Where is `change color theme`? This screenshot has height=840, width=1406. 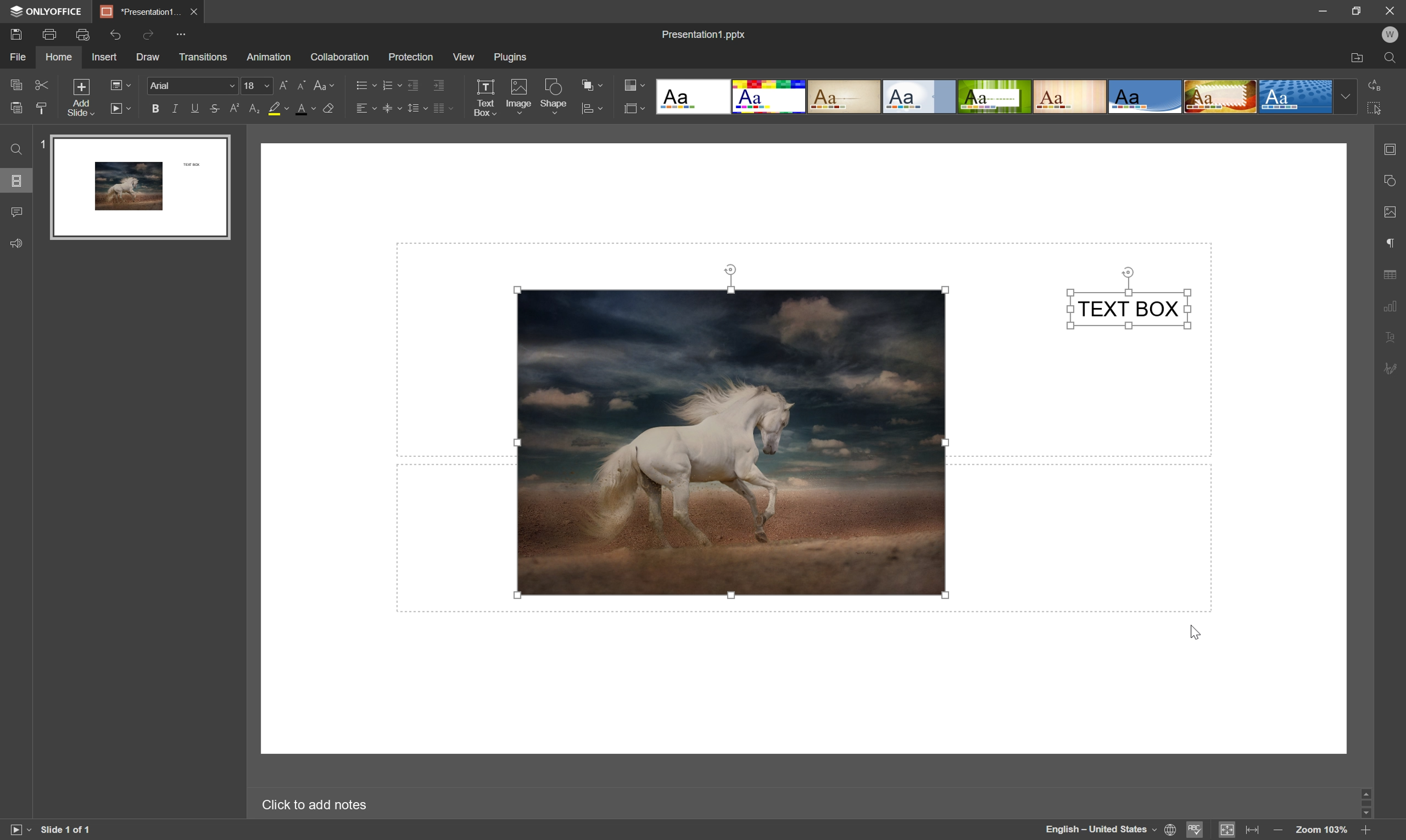
change color theme is located at coordinates (637, 84).